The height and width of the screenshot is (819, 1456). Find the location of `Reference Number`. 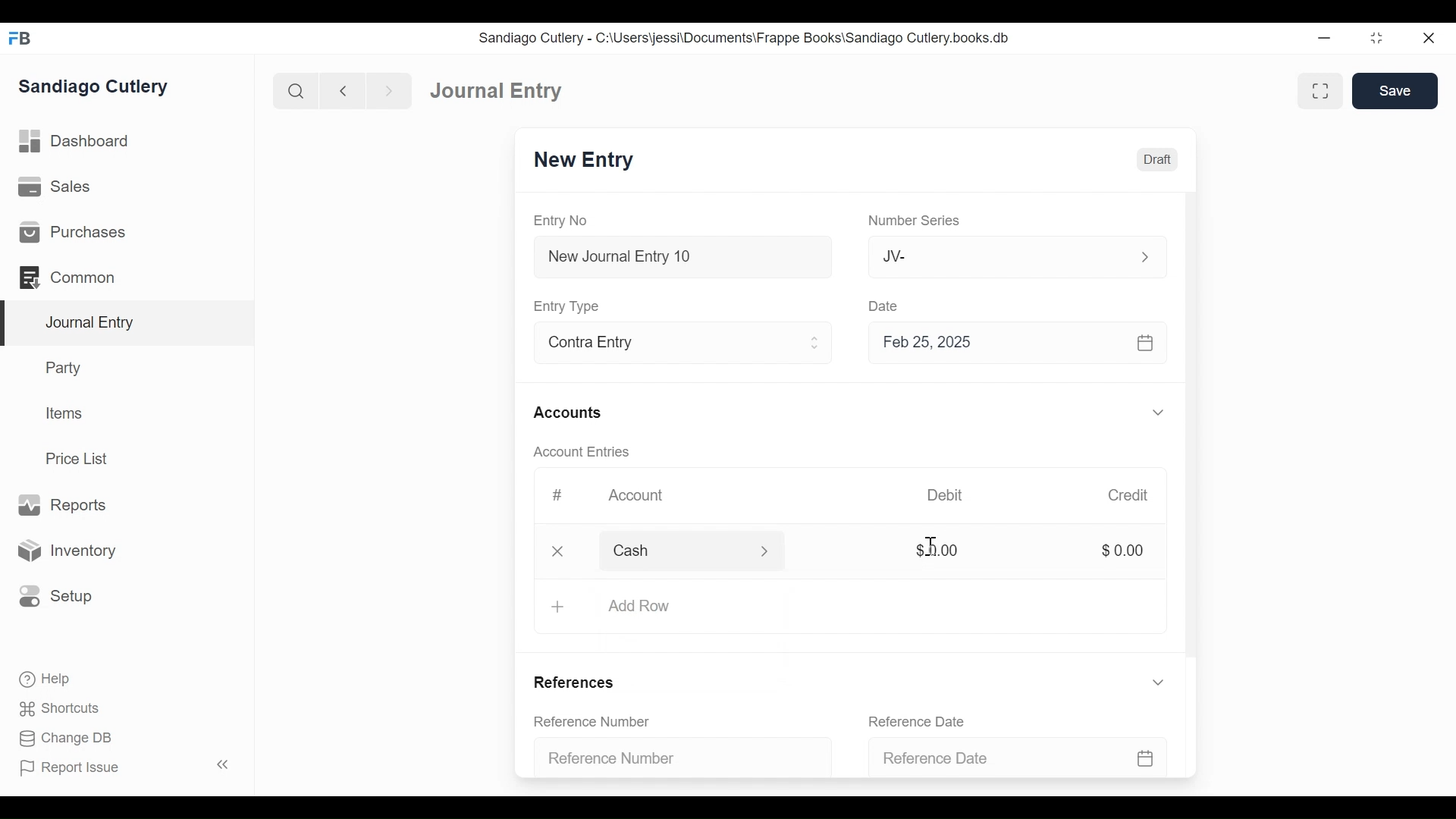

Reference Number is located at coordinates (595, 722).